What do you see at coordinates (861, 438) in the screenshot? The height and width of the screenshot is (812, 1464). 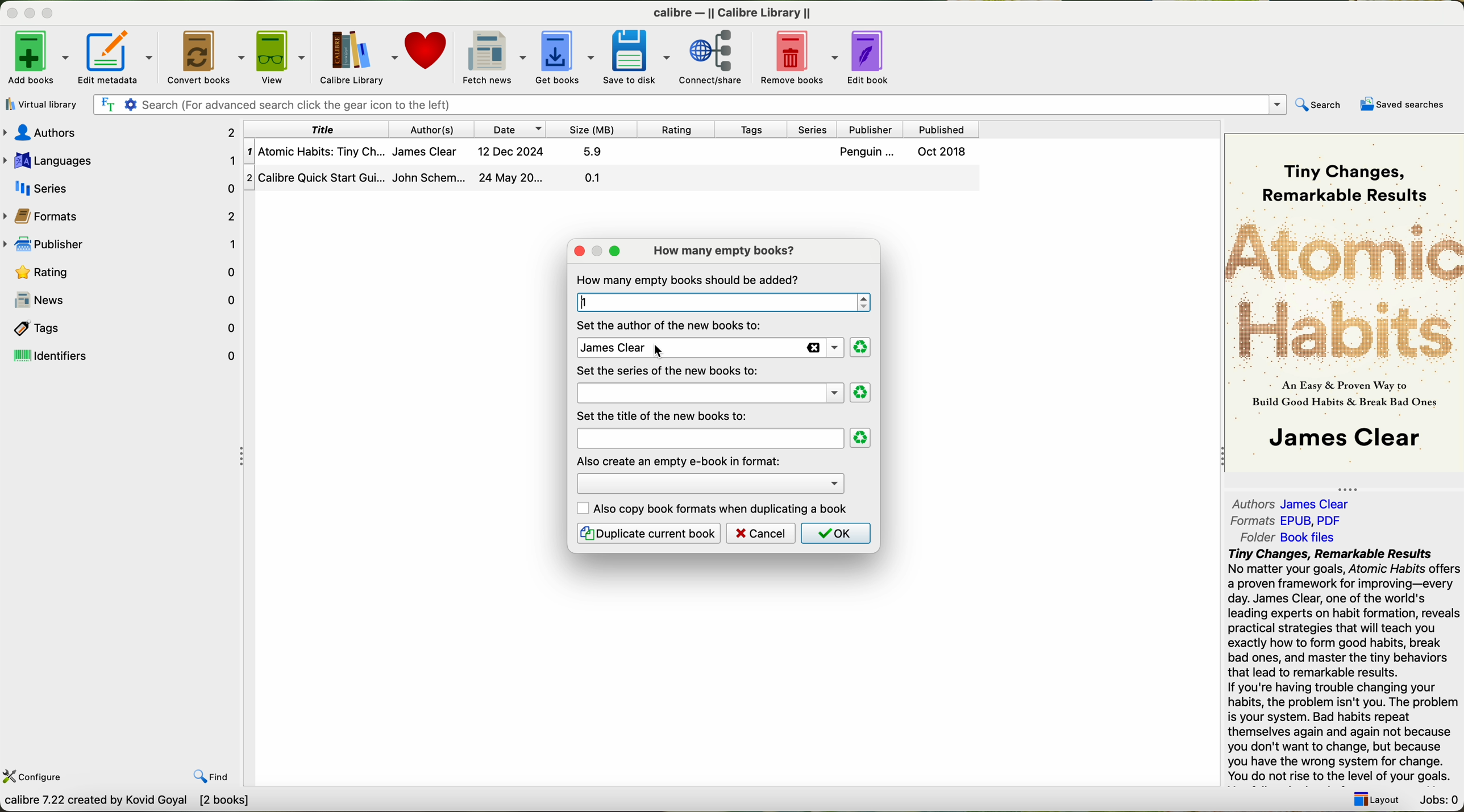 I see `clear` at bounding box center [861, 438].